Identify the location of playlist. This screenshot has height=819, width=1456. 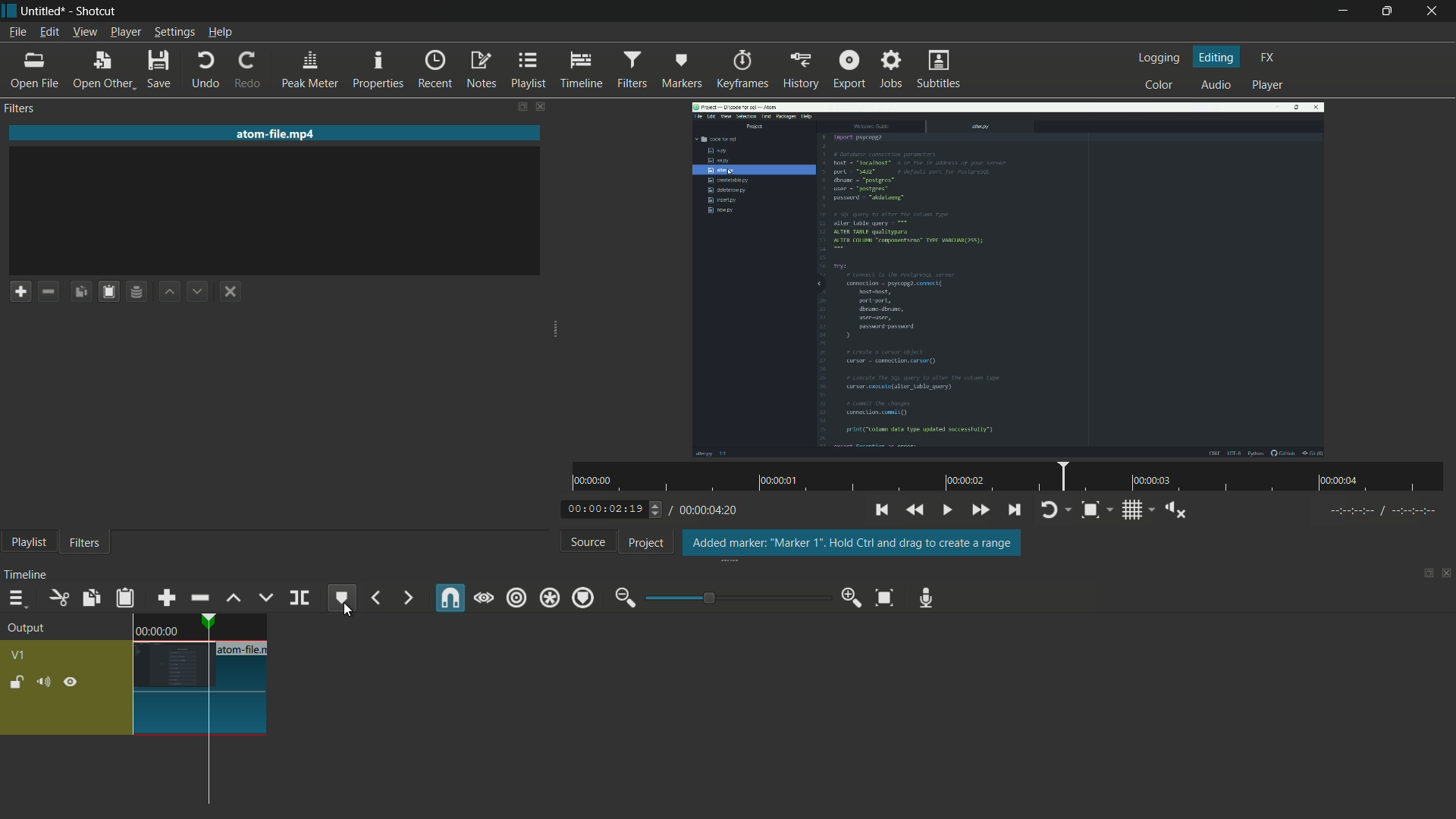
(25, 544).